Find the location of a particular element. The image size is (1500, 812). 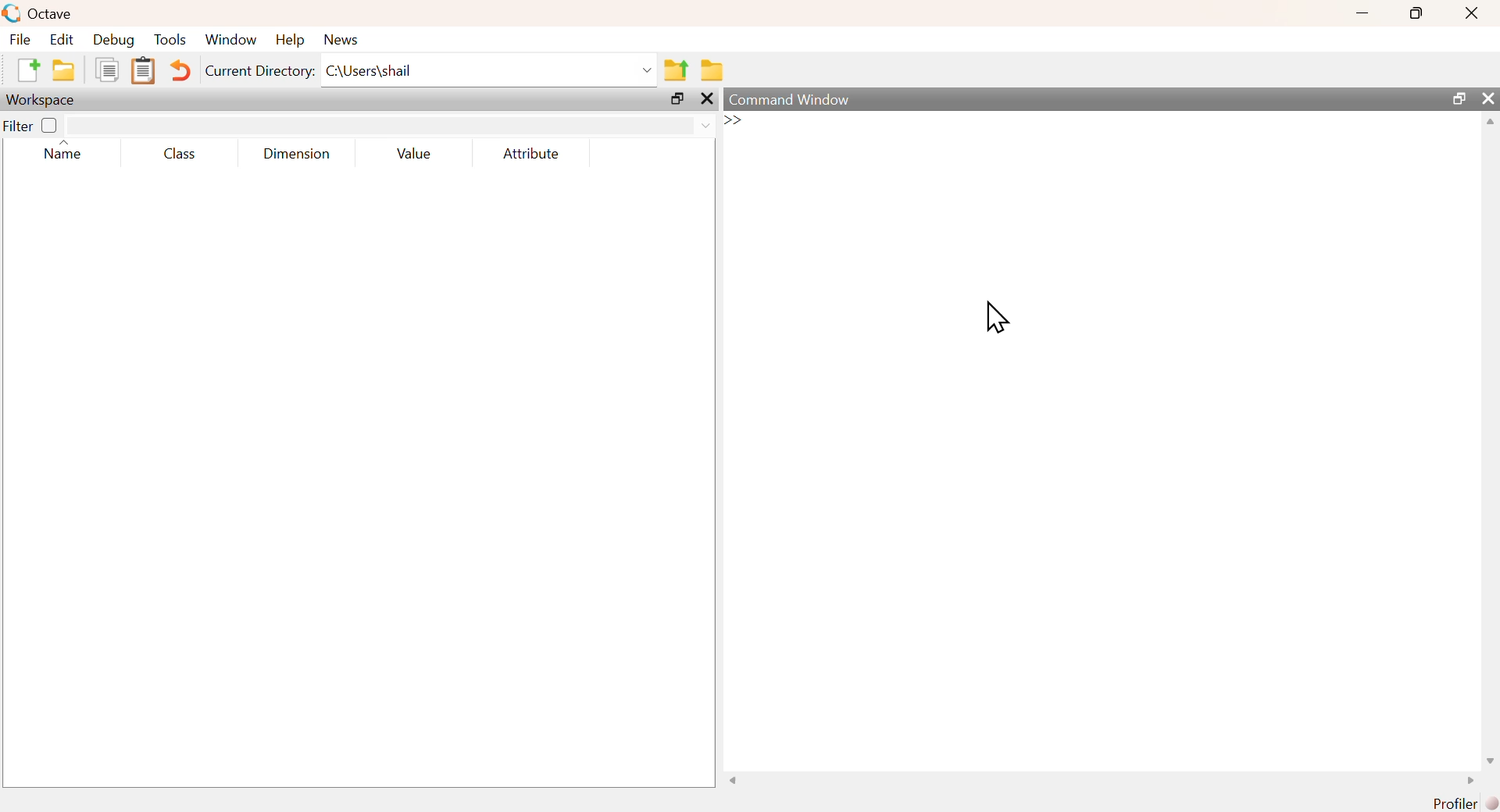

Profiler is located at coordinates (1466, 803).